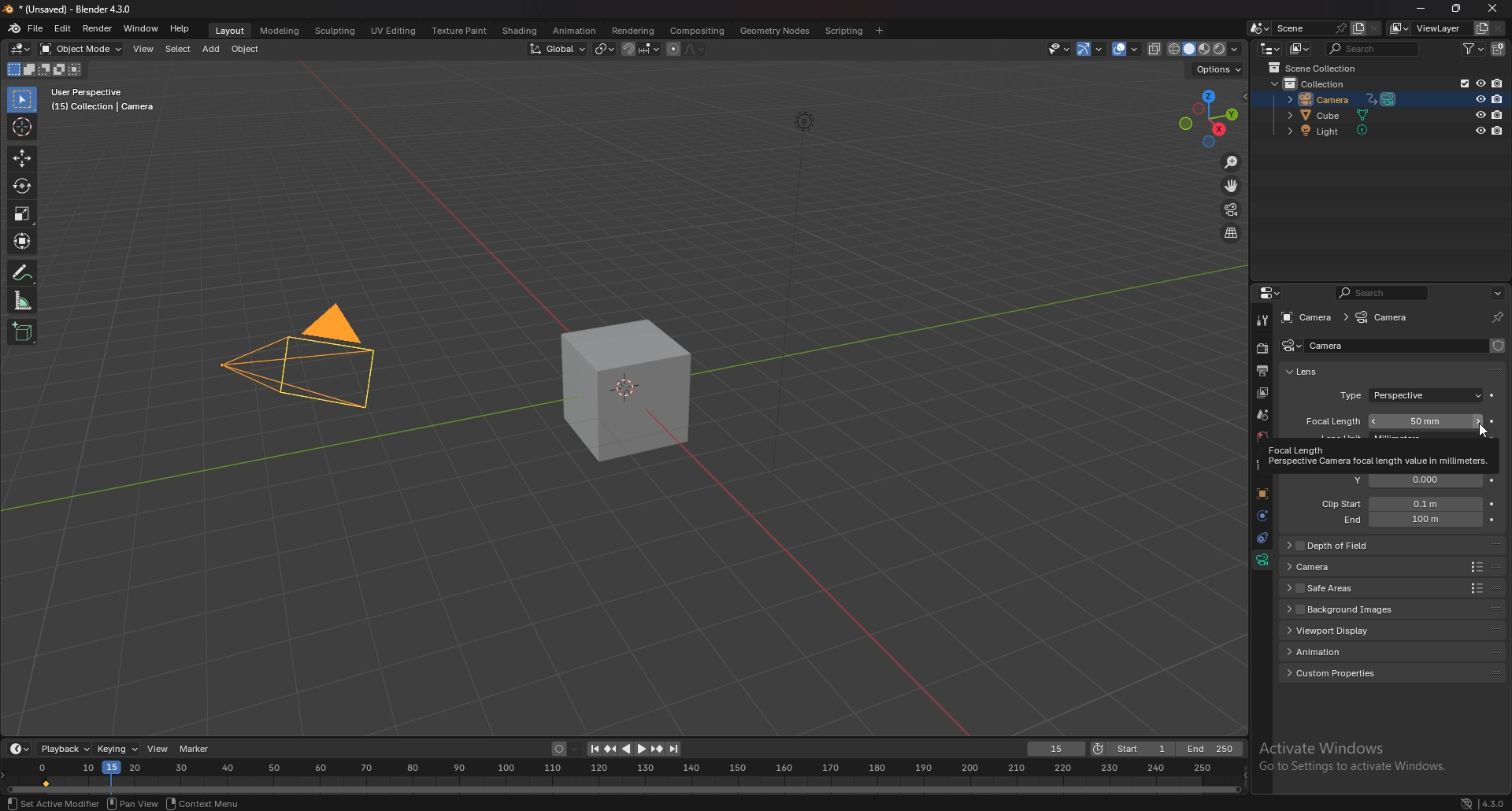  What do you see at coordinates (1480, 114) in the screenshot?
I see `hide in viewport` at bounding box center [1480, 114].